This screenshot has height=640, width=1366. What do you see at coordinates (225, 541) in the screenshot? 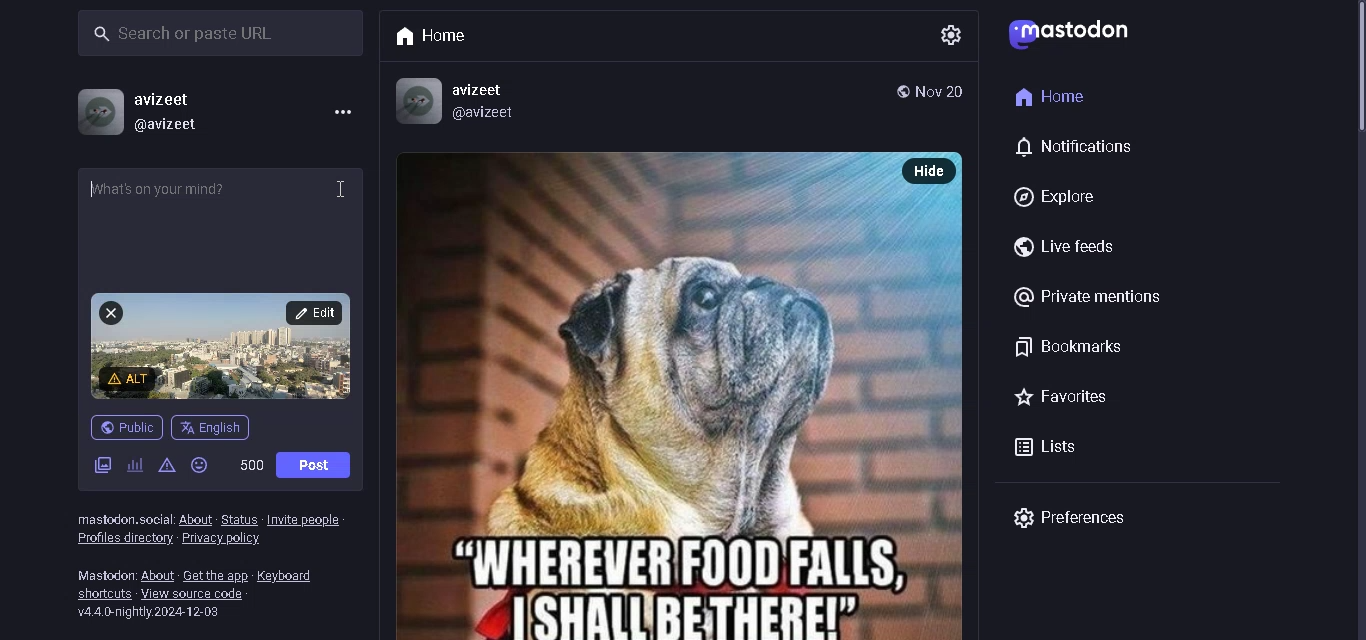
I see `privacy policy` at bounding box center [225, 541].